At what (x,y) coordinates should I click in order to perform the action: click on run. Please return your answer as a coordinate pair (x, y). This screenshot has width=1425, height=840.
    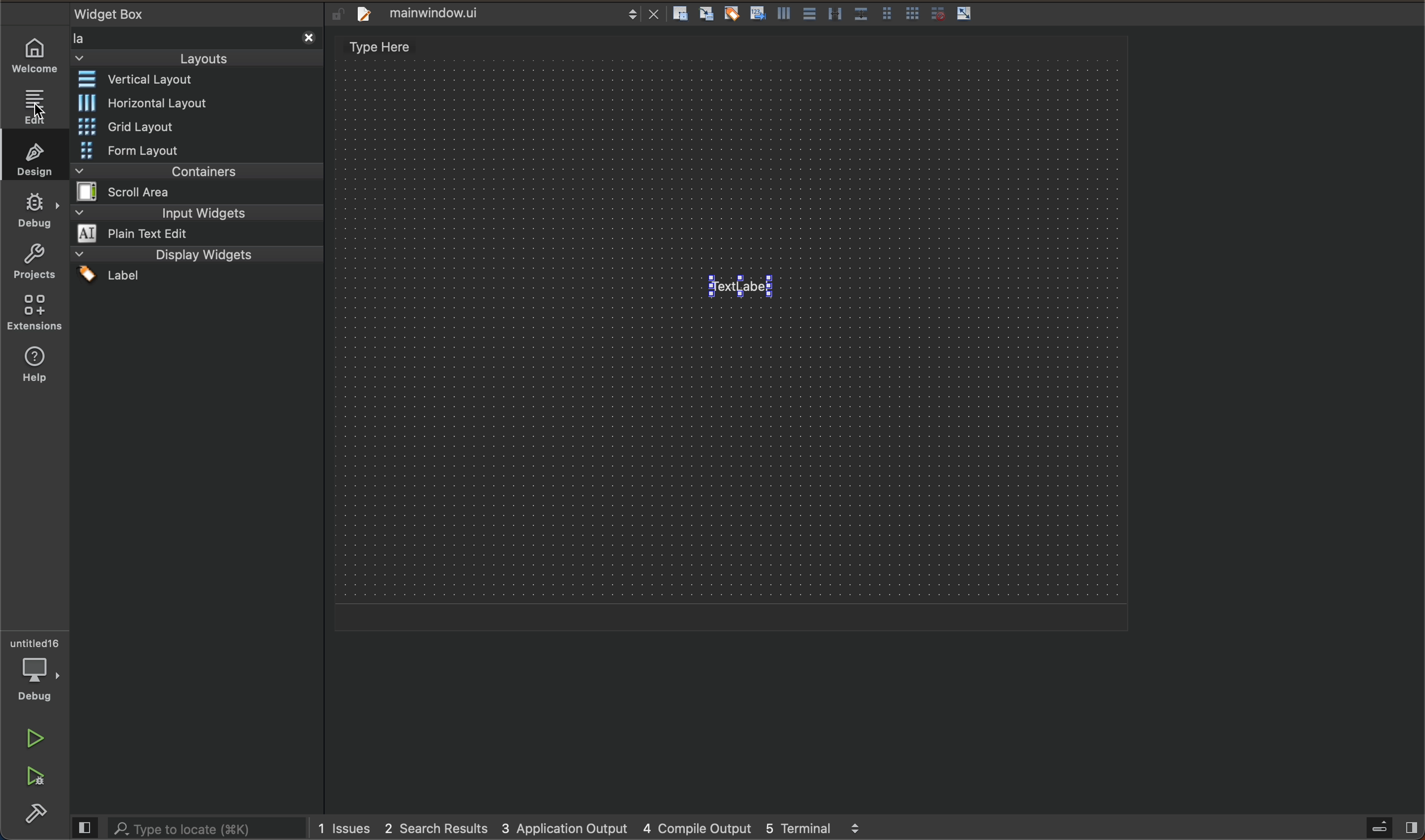
    Looking at the image, I should click on (38, 738).